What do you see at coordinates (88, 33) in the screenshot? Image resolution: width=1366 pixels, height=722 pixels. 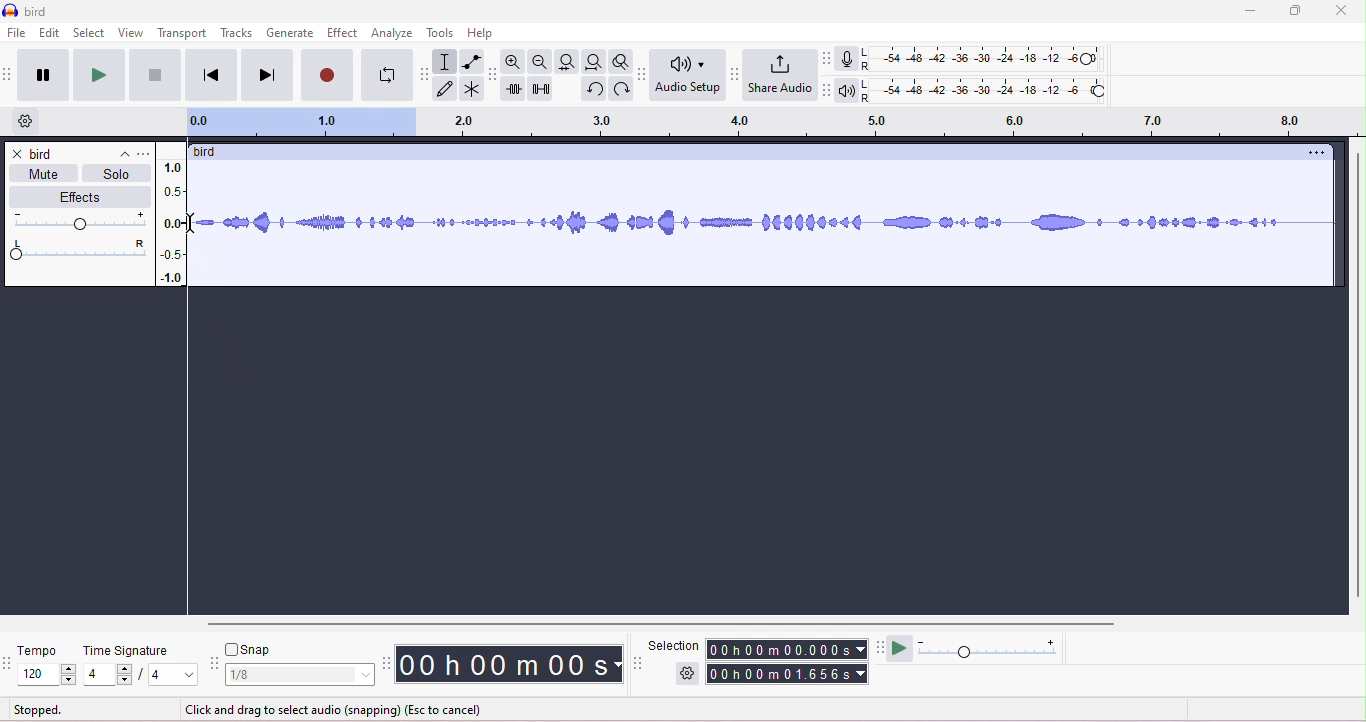 I see `select` at bounding box center [88, 33].